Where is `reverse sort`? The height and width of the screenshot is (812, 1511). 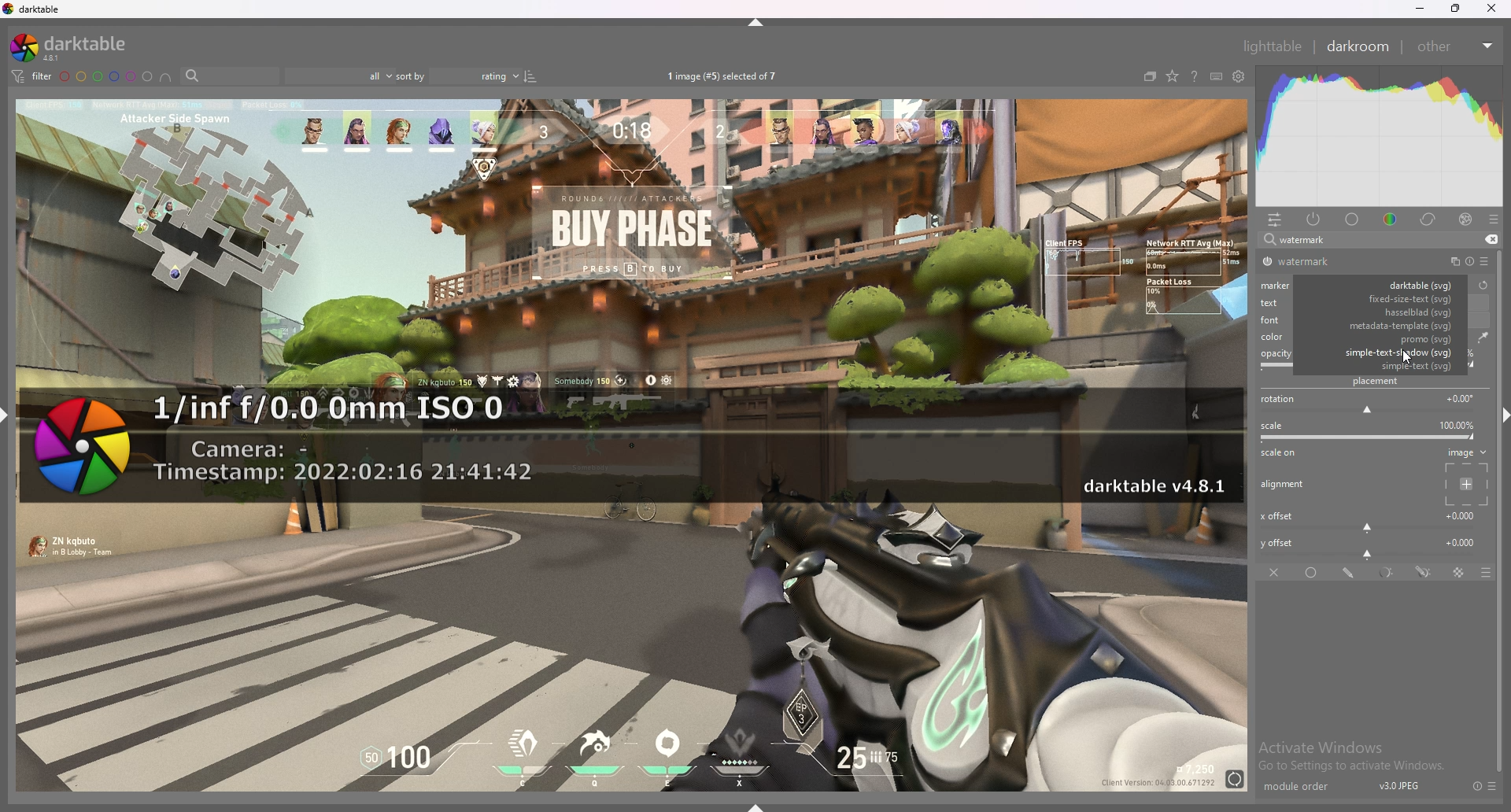 reverse sort is located at coordinates (530, 76).